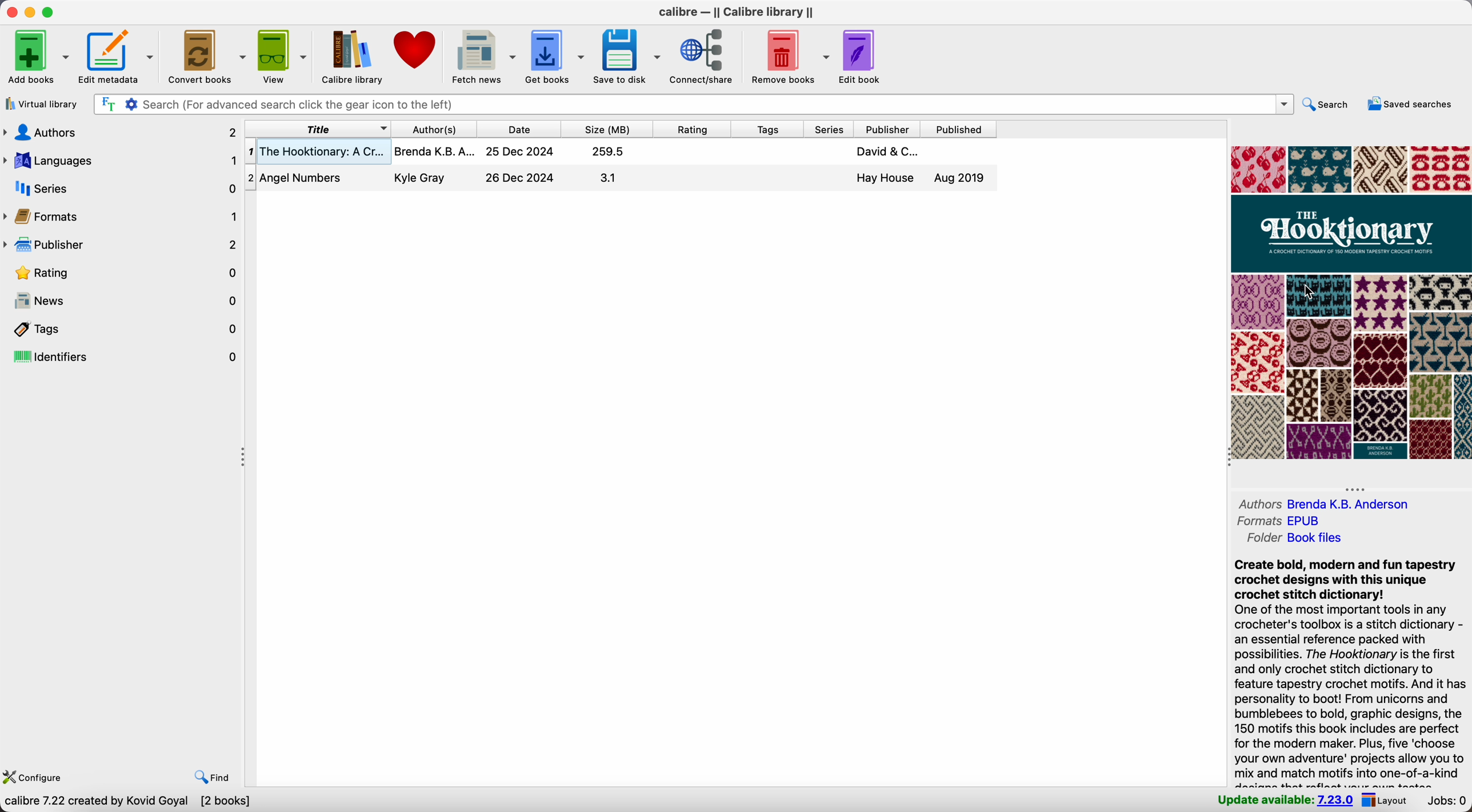 Image resolution: width=1472 pixels, height=812 pixels. I want to click on authors, so click(1327, 504).